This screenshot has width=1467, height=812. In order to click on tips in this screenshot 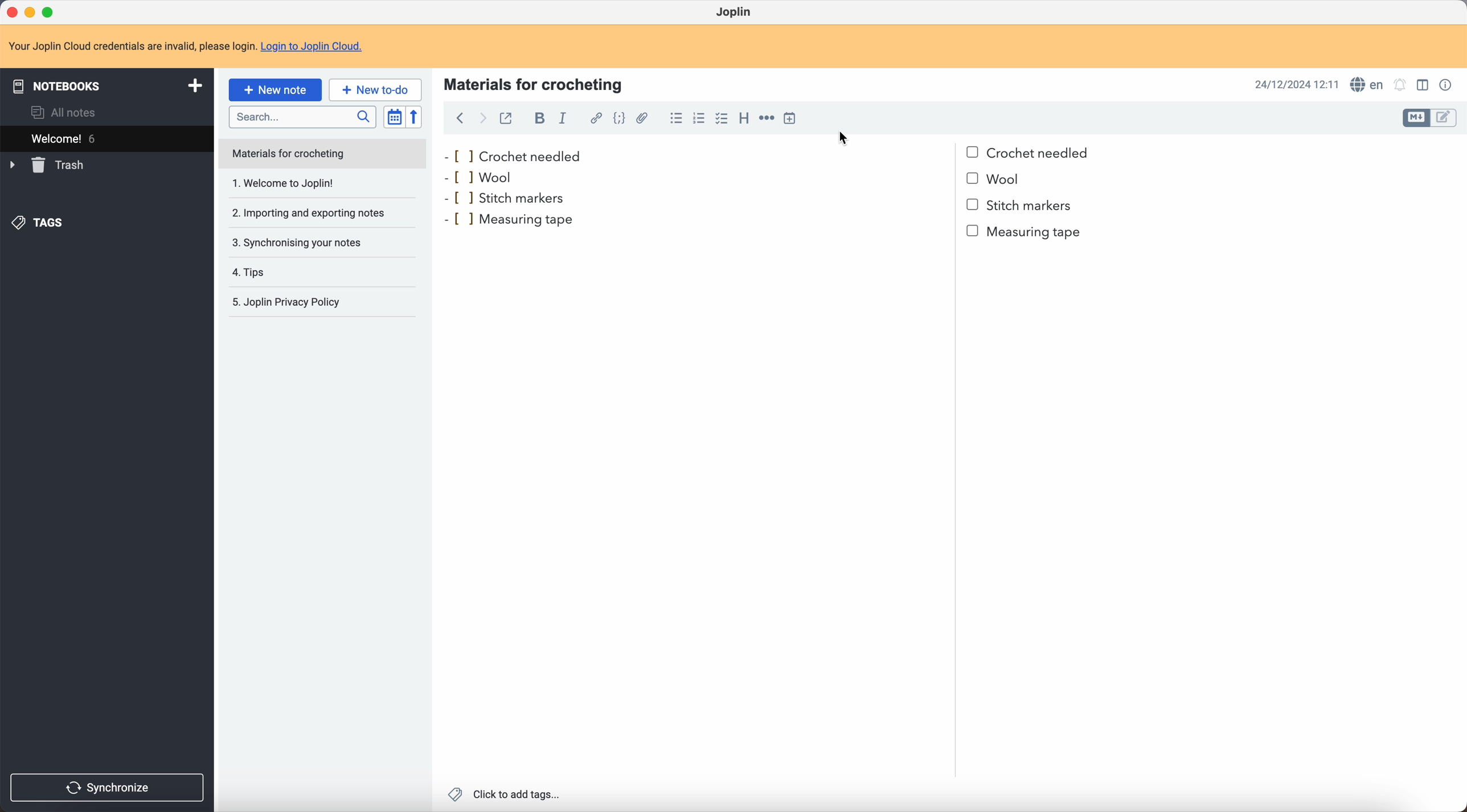, I will do `click(301, 272)`.